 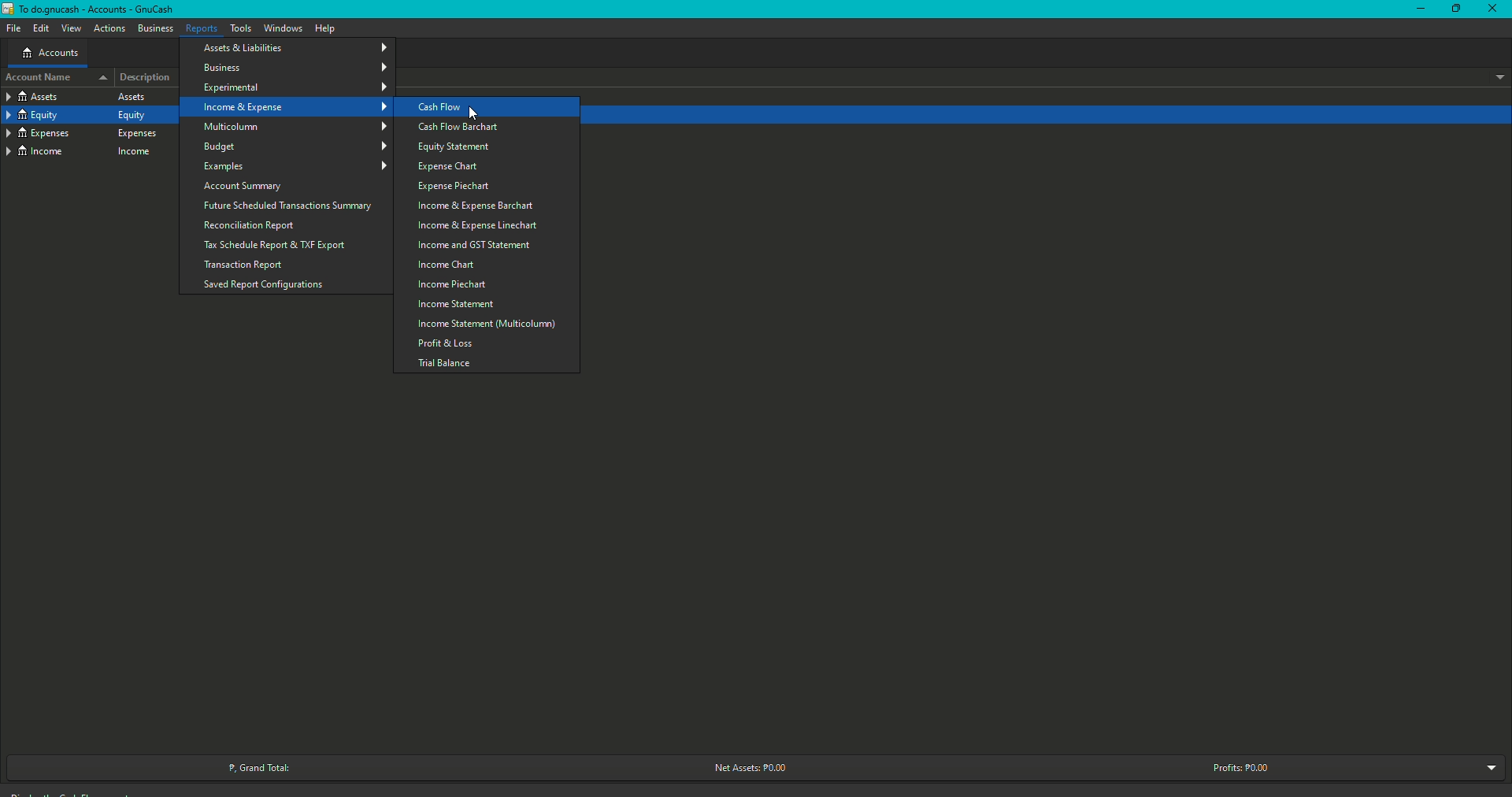 What do you see at coordinates (55, 77) in the screenshot?
I see `Account name` at bounding box center [55, 77].